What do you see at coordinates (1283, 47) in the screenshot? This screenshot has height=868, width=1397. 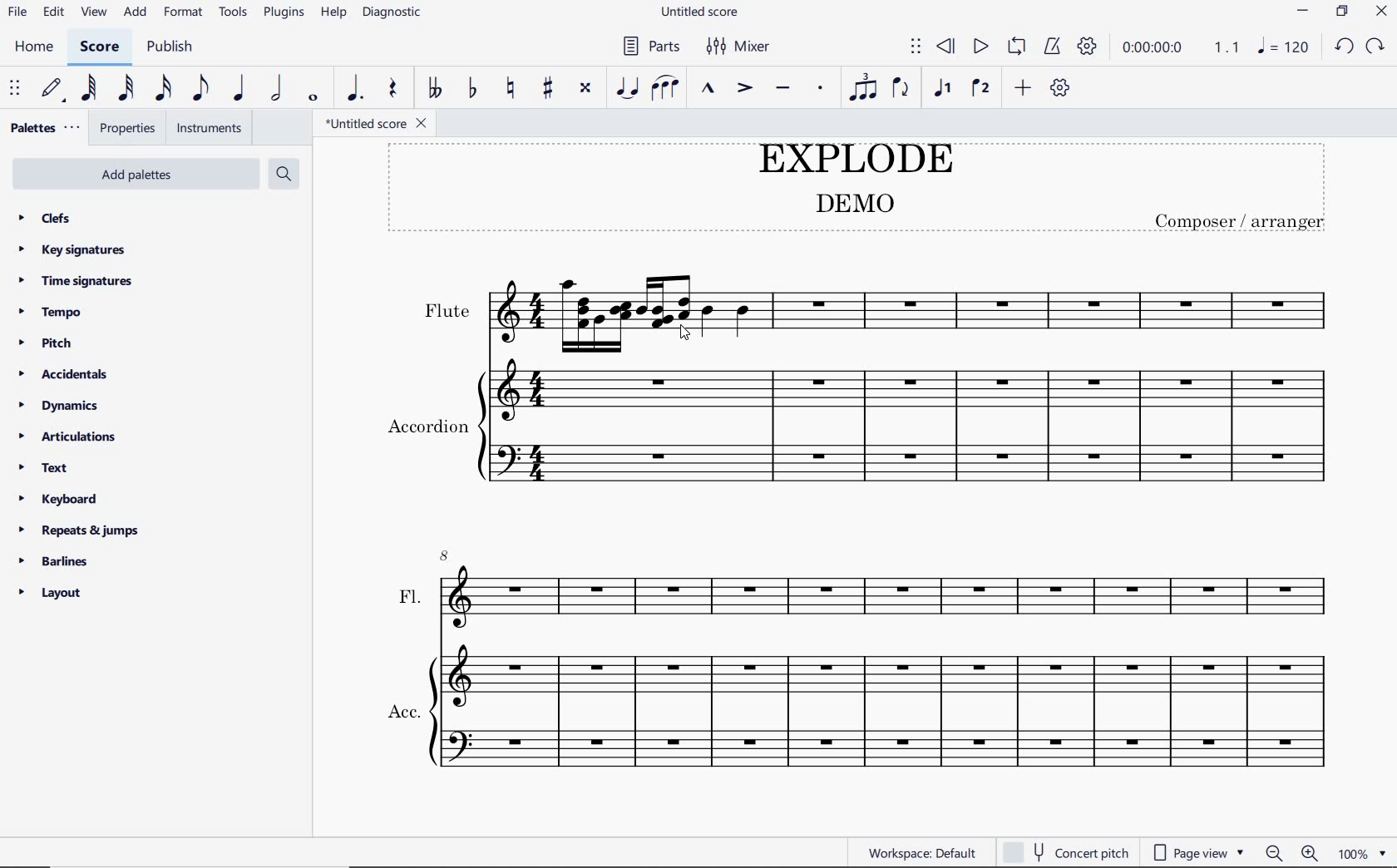 I see `NOTE` at bounding box center [1283, 47].